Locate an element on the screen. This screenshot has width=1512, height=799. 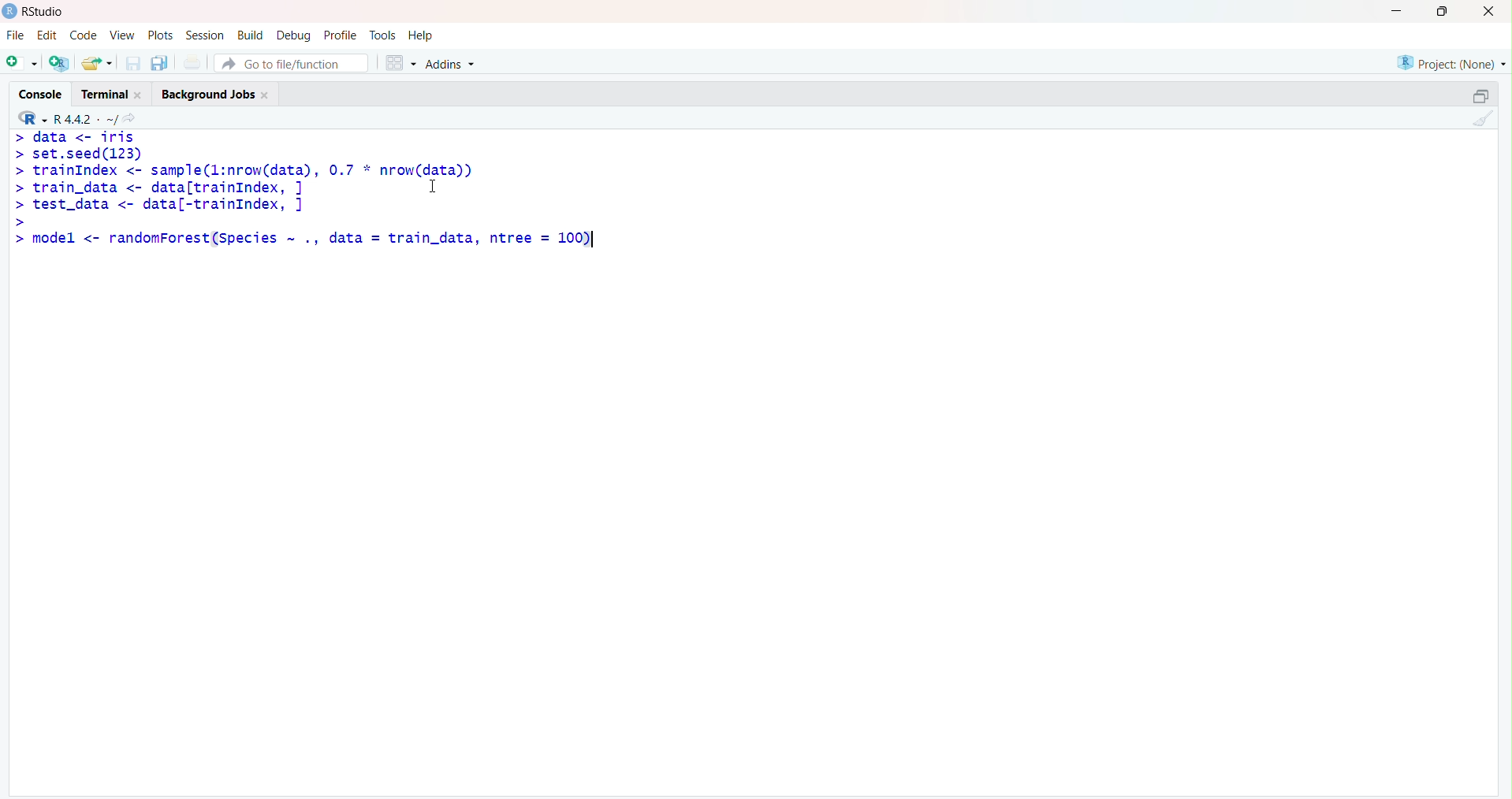
Prompt cursor is located at coordinates (19, 205).